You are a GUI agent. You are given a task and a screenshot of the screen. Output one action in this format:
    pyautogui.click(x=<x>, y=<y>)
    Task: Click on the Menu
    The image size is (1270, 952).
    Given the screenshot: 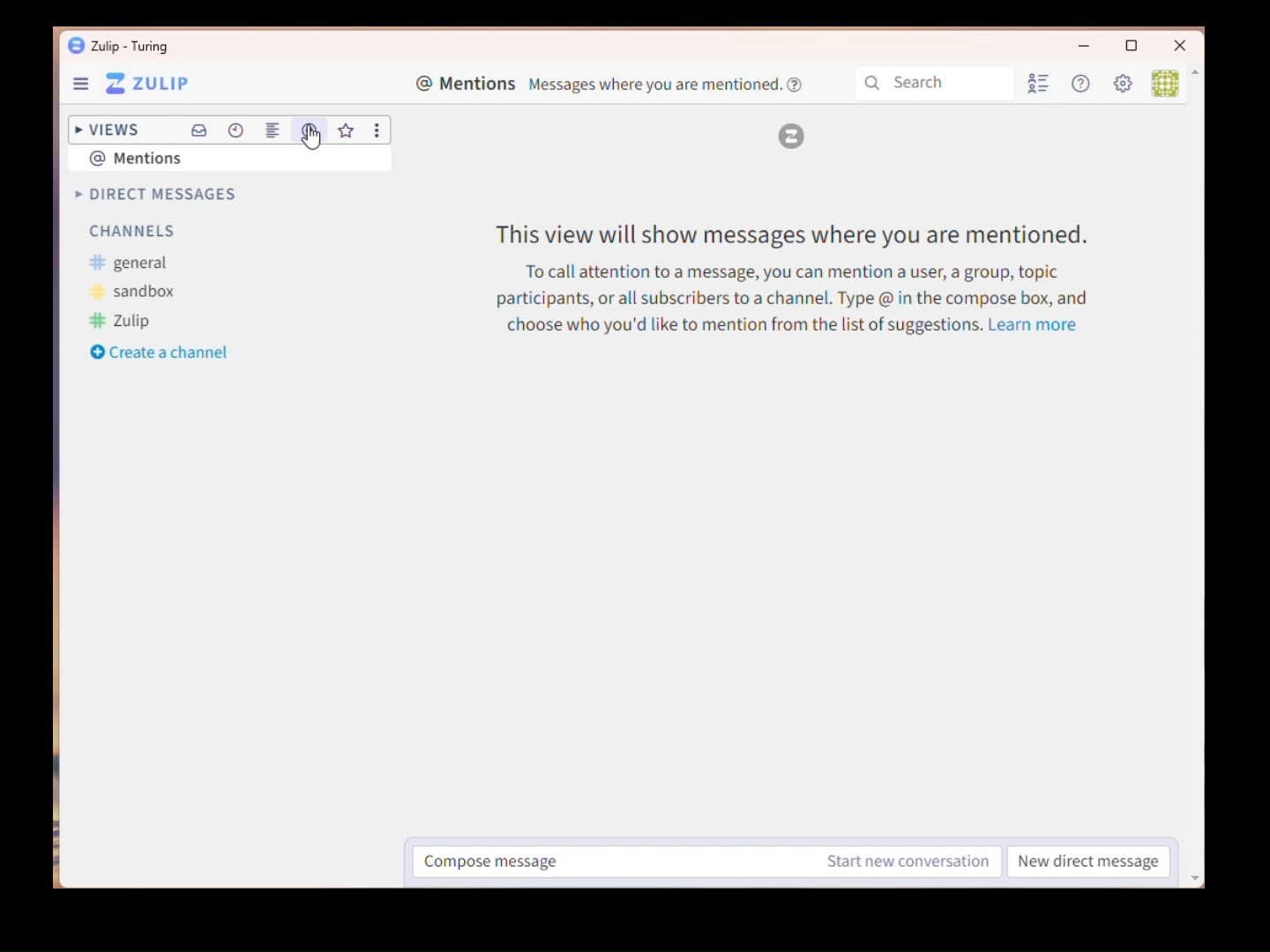 What is the action you would take?
    pyautogui.click(x=137, y=85)
    